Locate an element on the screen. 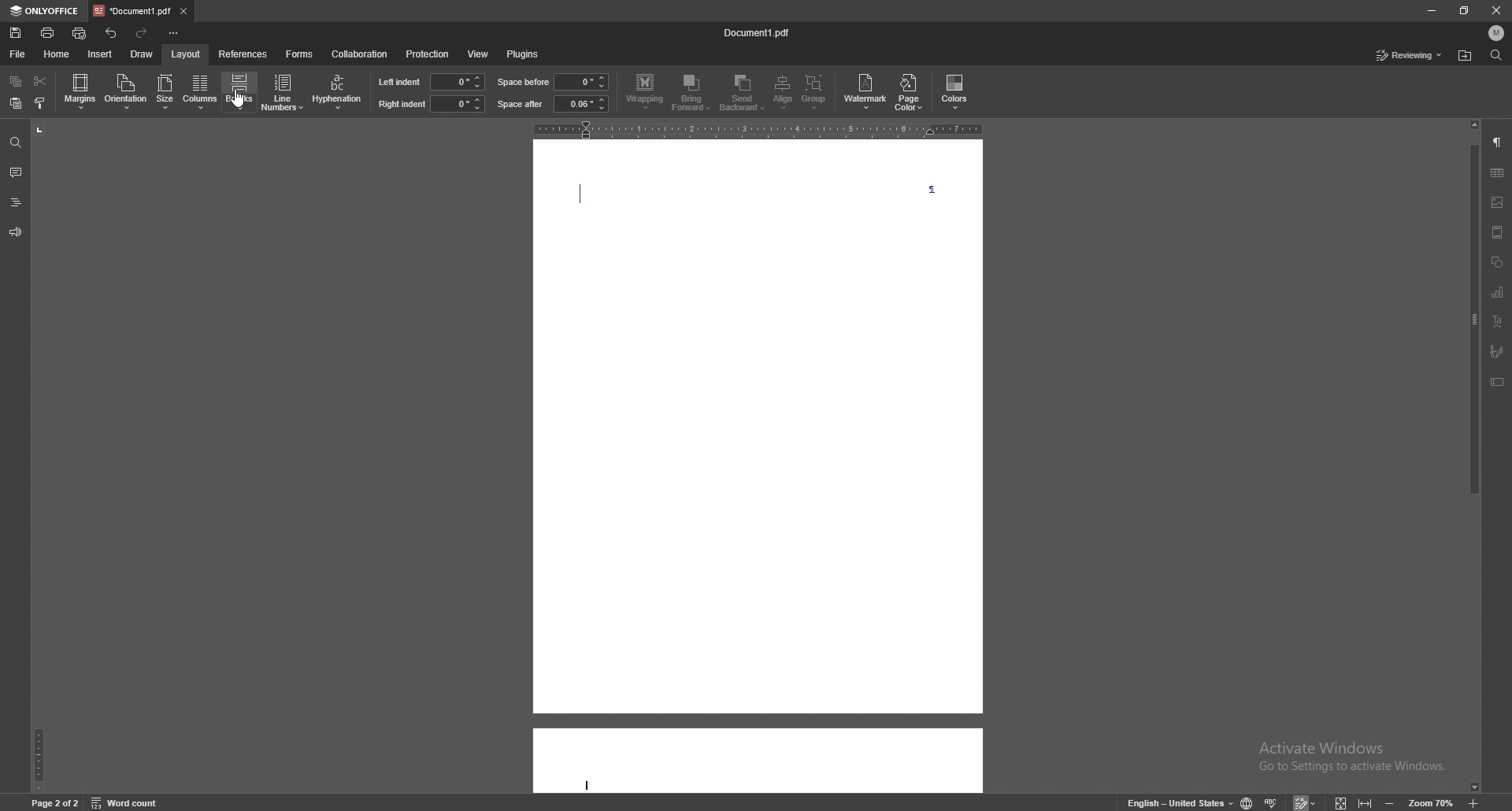  copy style is located at coordinates (40, 103).